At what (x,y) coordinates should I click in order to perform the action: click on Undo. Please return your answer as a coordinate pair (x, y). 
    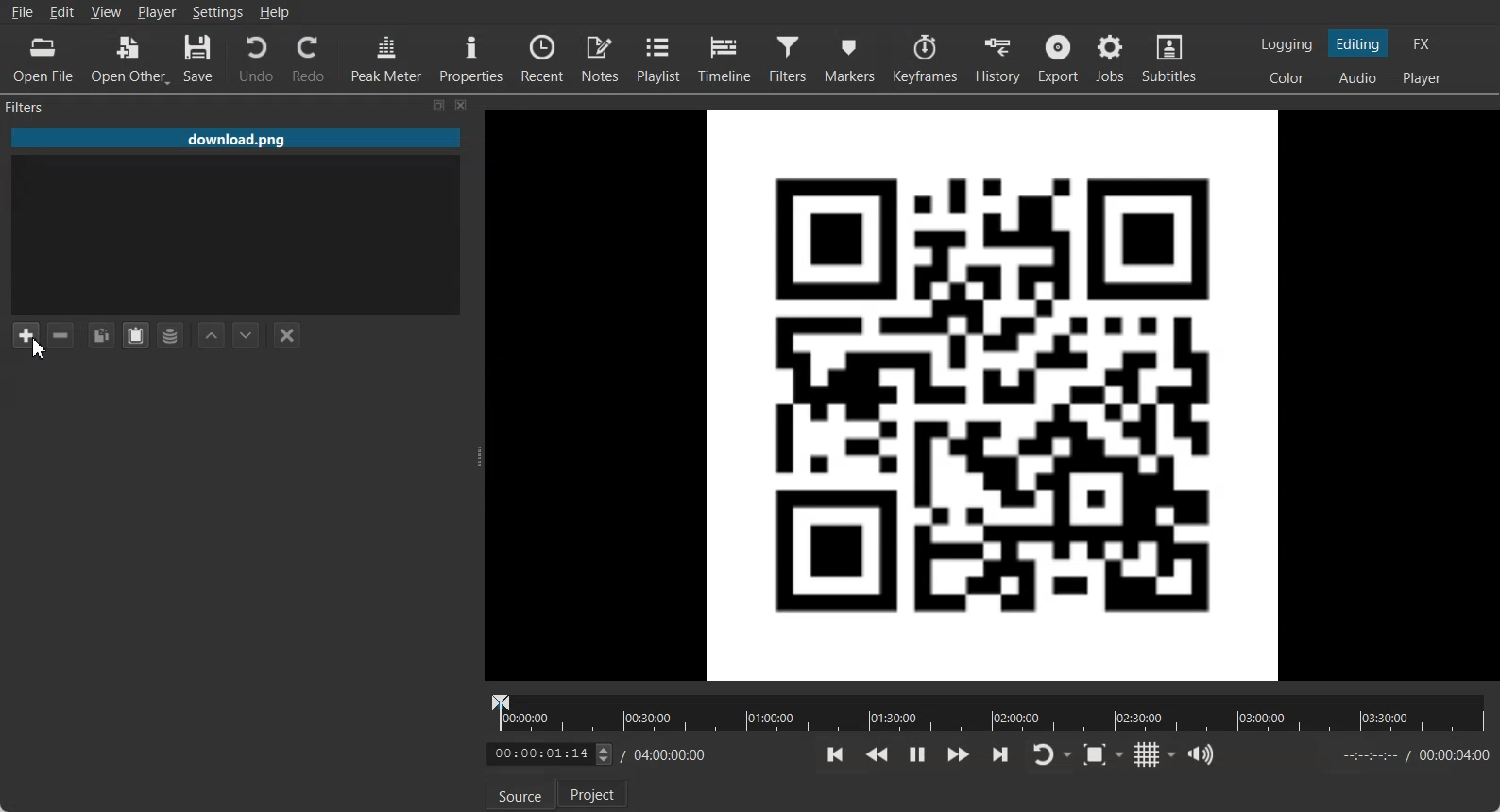
    Looking at the image, I should click on (256, 58).